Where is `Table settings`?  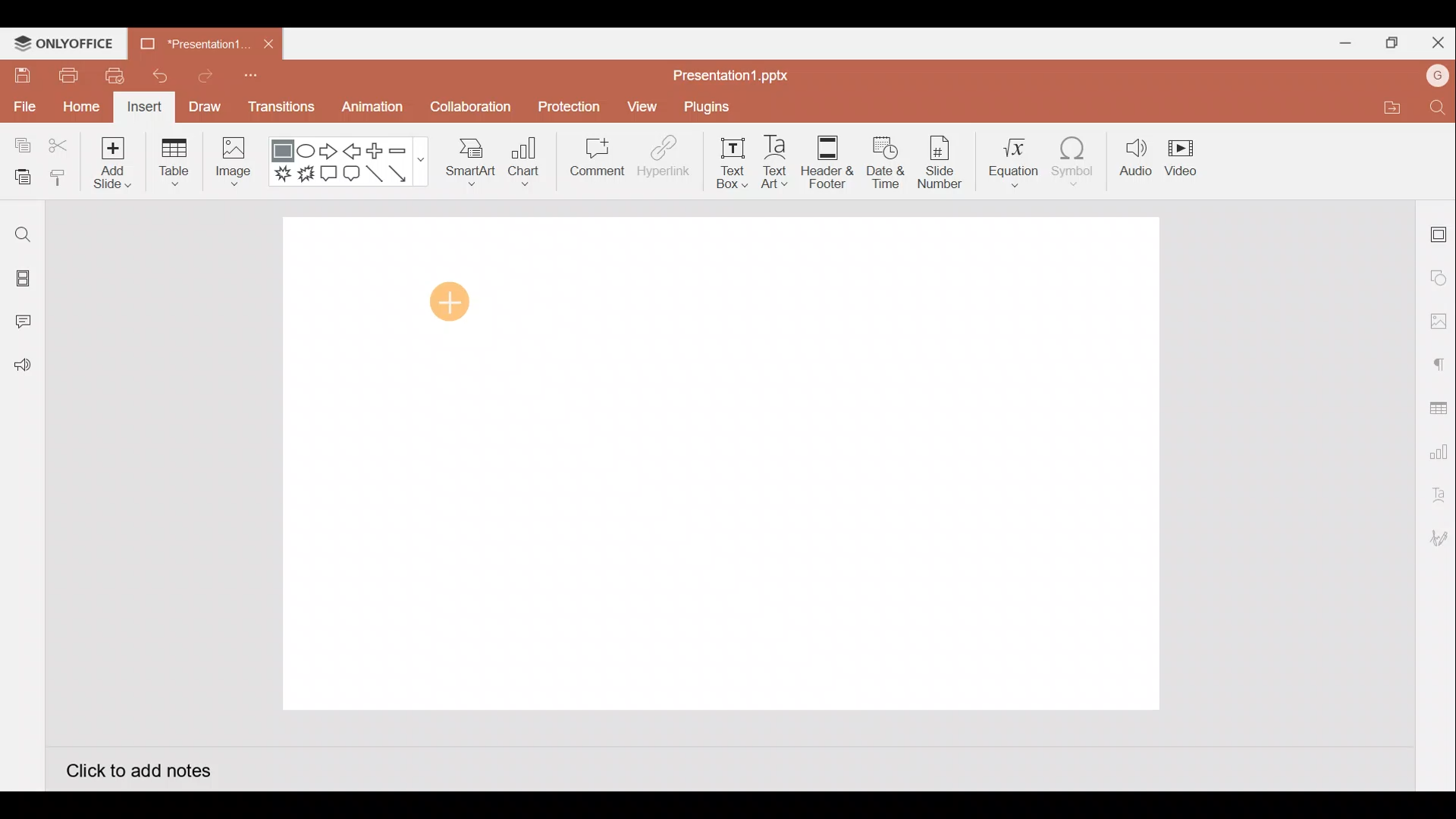 Table settings is located at coordinates (1435, 406).